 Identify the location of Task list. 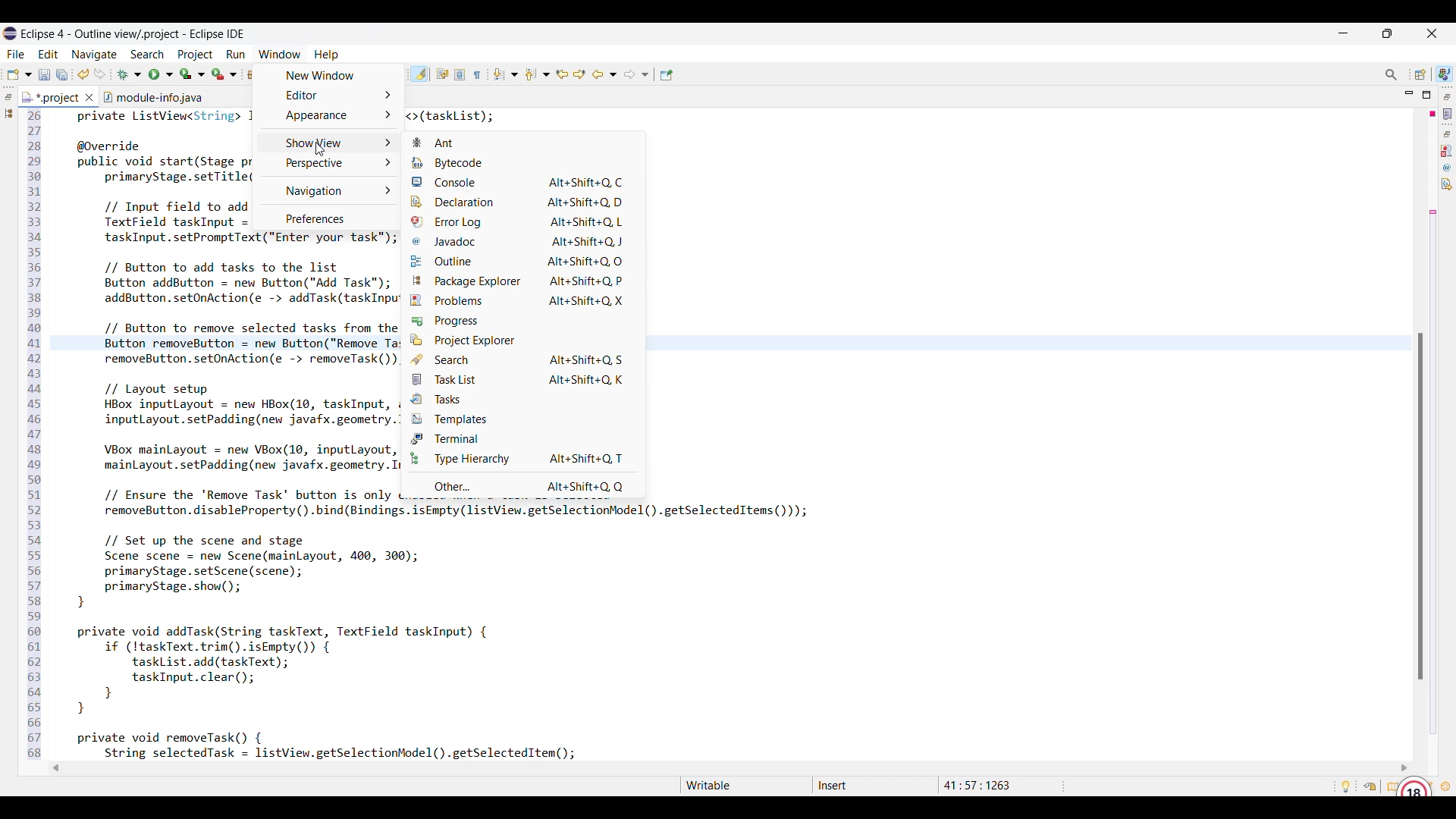
(1448, 114).